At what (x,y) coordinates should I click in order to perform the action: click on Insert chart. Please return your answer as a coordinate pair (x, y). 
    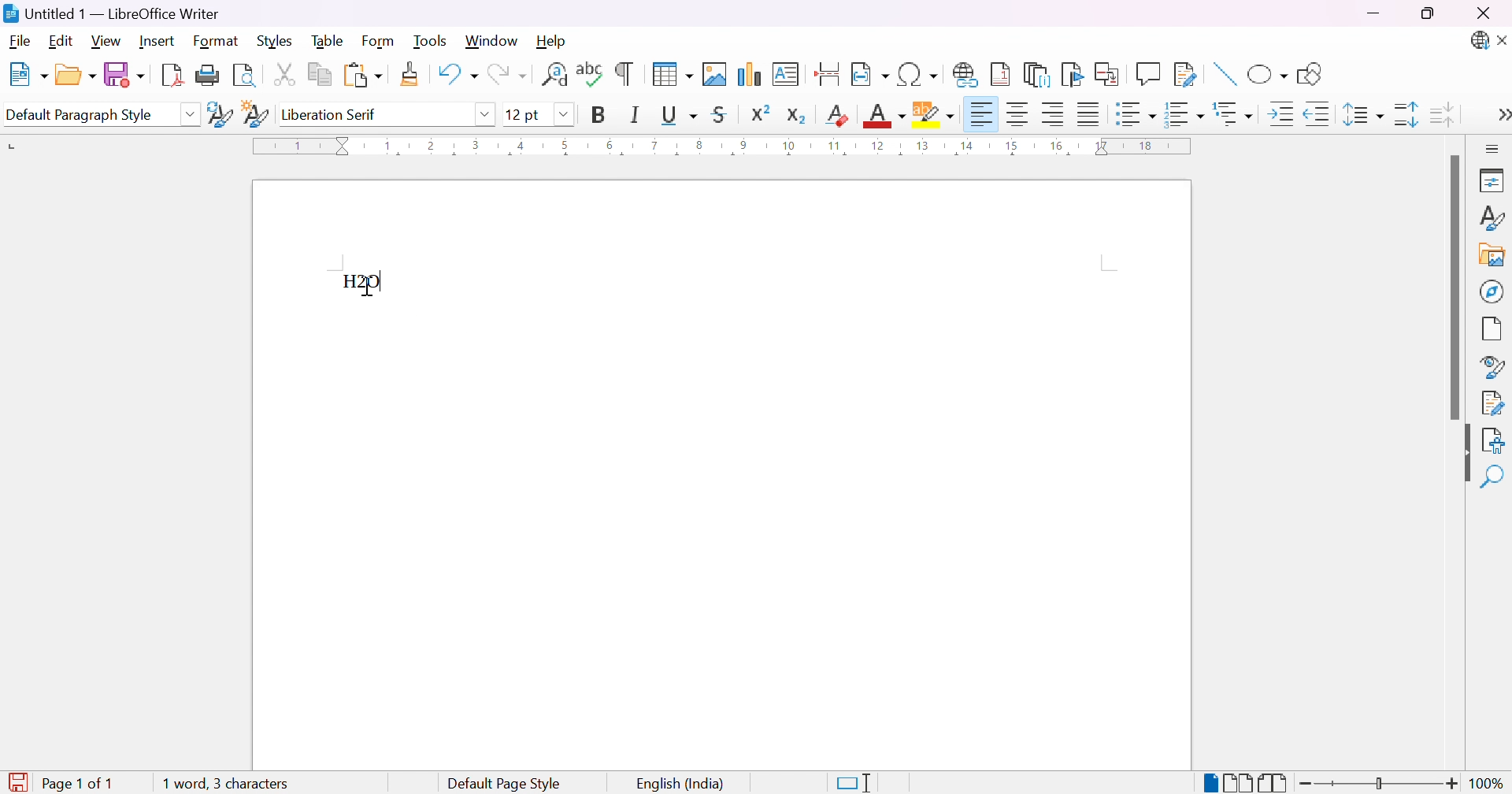
    Looking at the image, I should click on (751, 76).